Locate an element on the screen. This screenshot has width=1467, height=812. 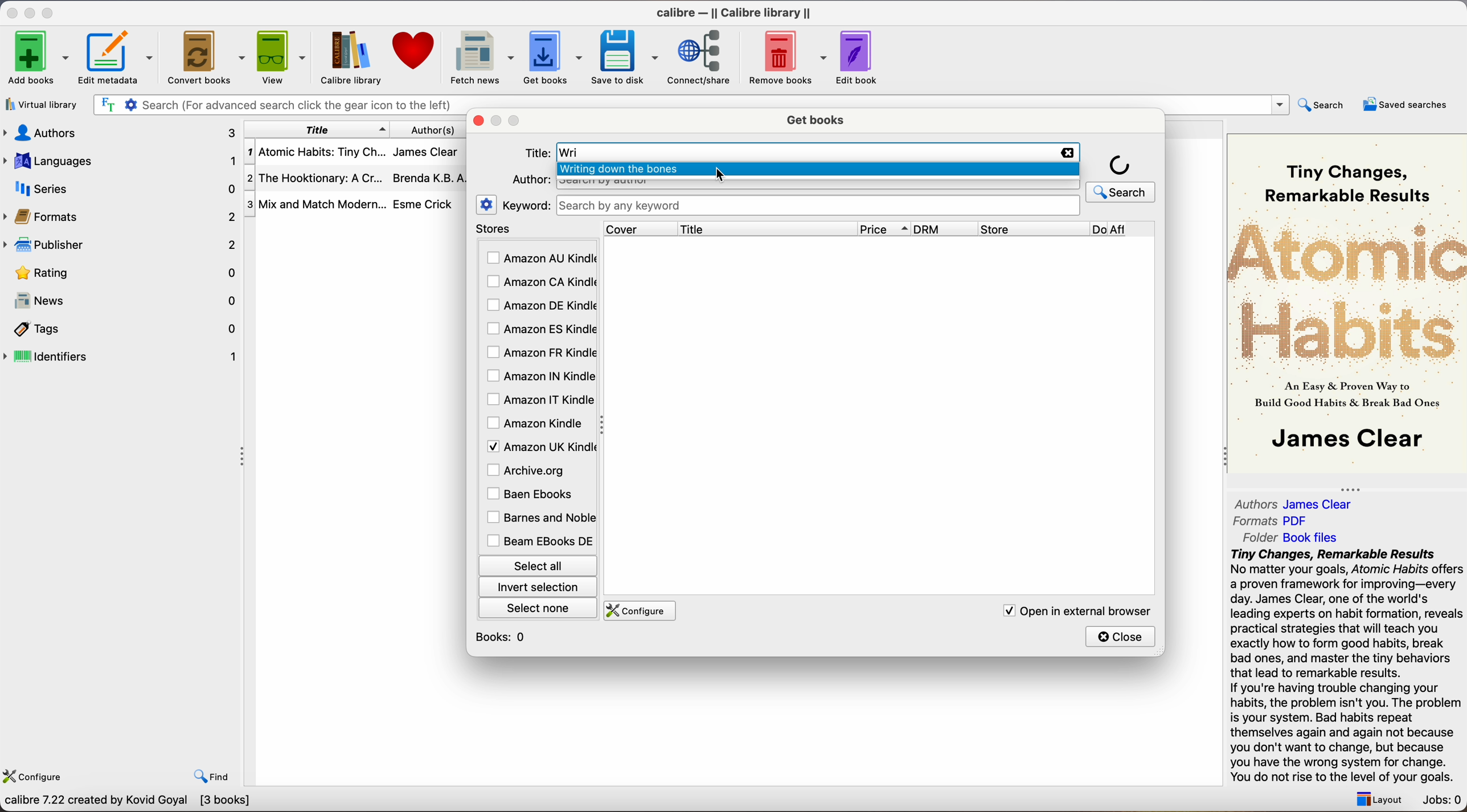
close is located at coordinates (1121, 636).